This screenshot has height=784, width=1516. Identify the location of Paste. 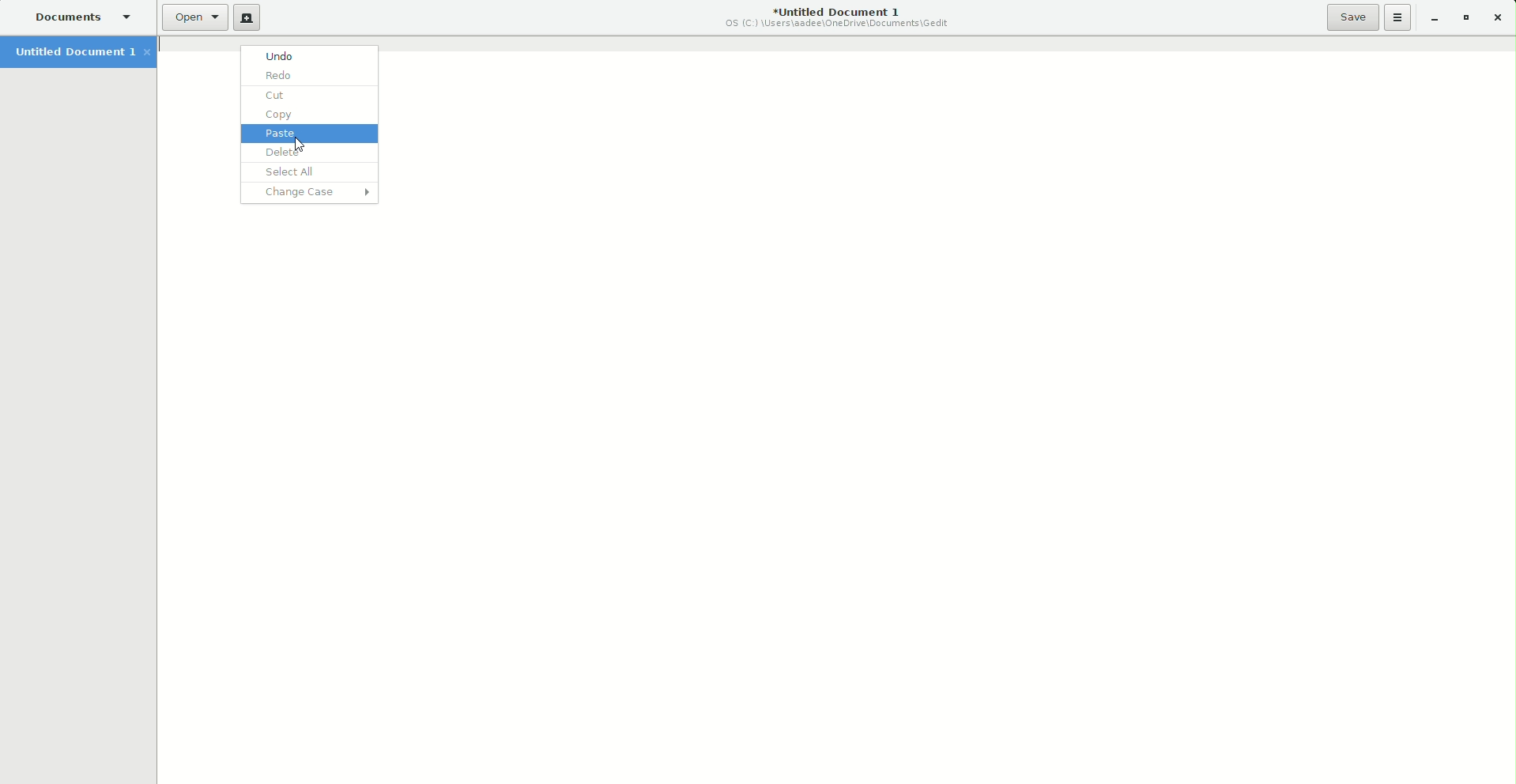
(307, 135).